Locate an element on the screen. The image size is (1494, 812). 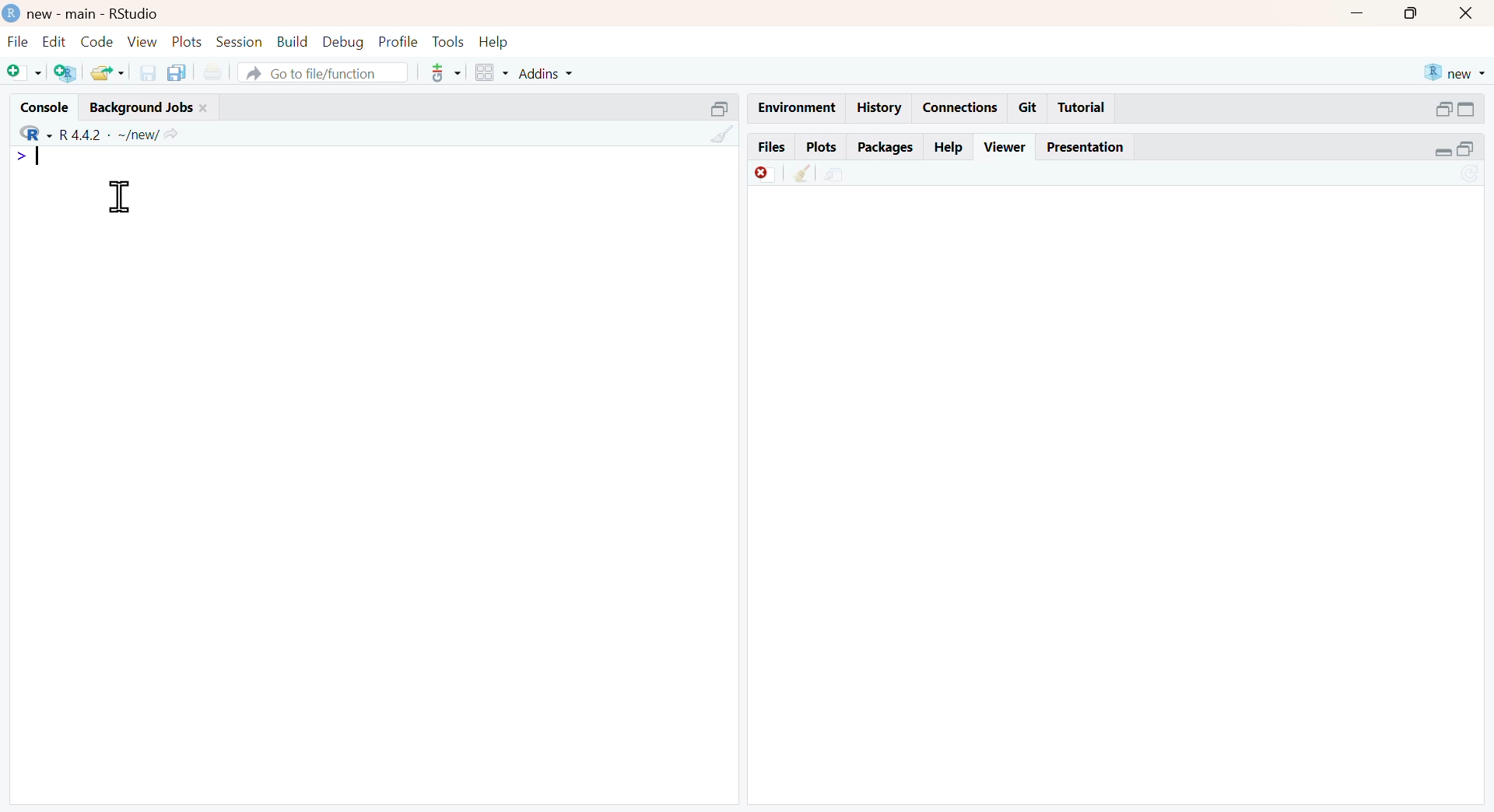
open in separate window is located at coordinates (721, 110).